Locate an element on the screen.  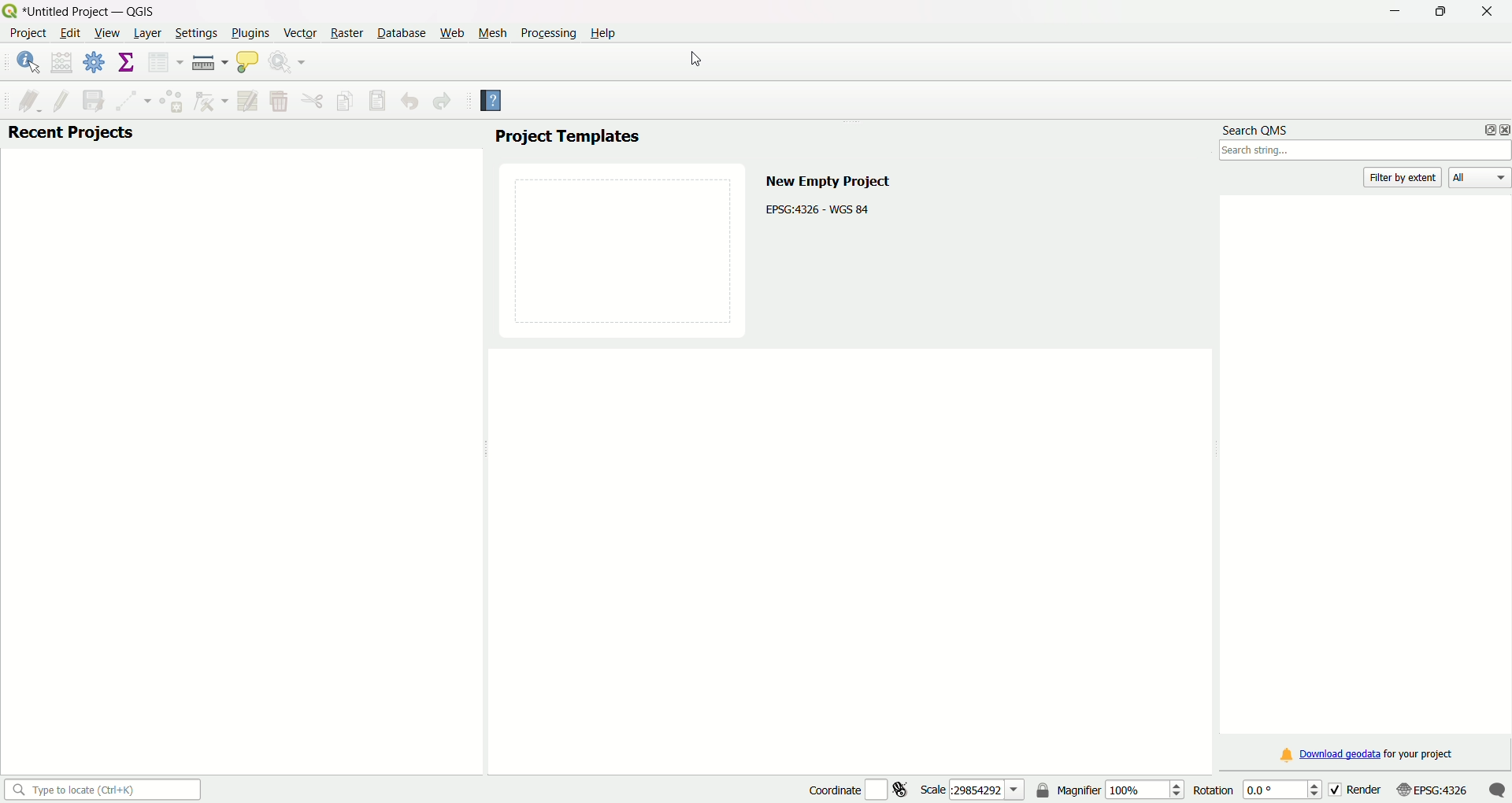
show map tip is located at coordinates (247, 64).